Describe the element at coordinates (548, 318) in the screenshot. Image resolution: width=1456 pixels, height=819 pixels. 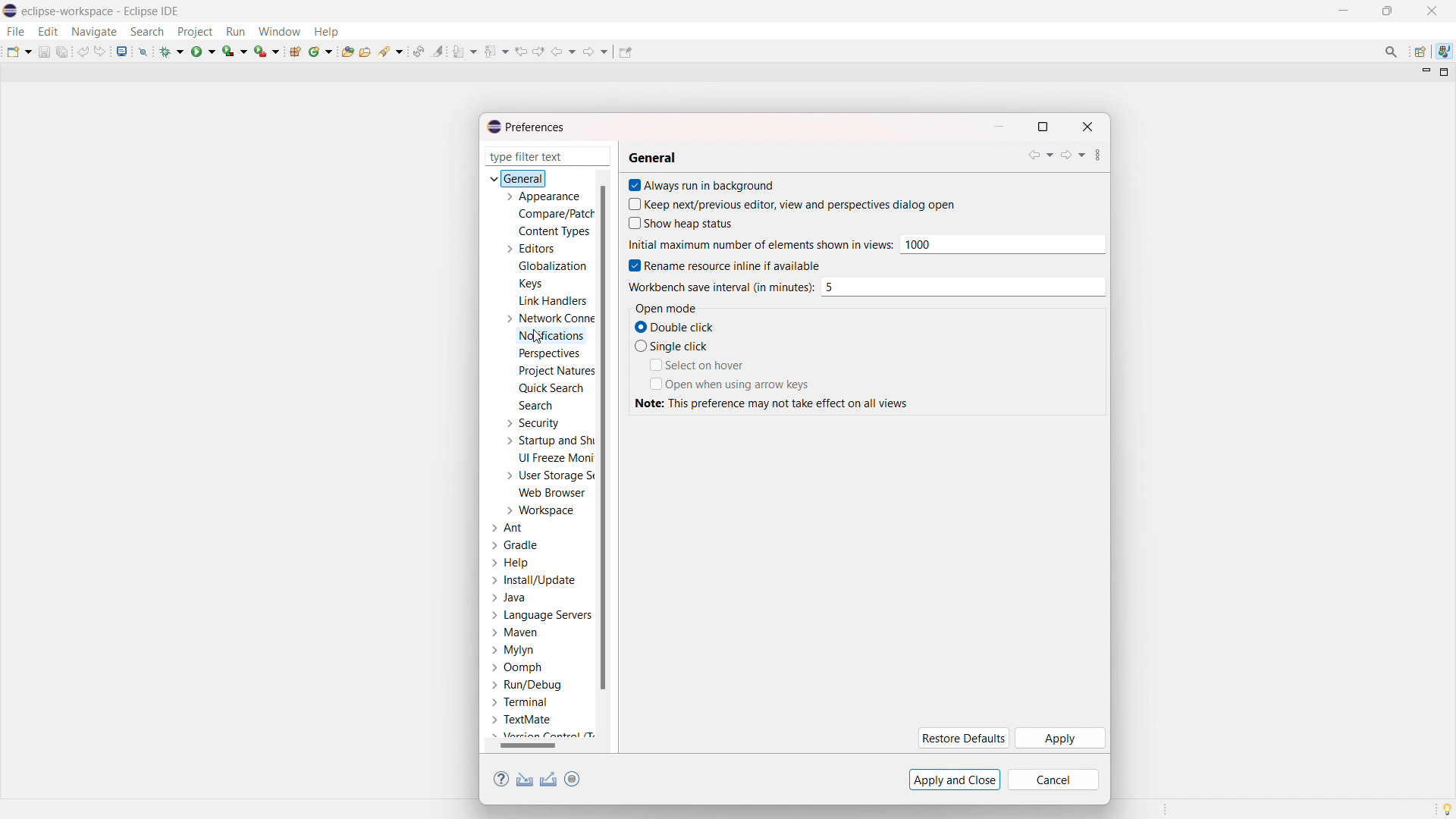
I see `network connections` at that location.